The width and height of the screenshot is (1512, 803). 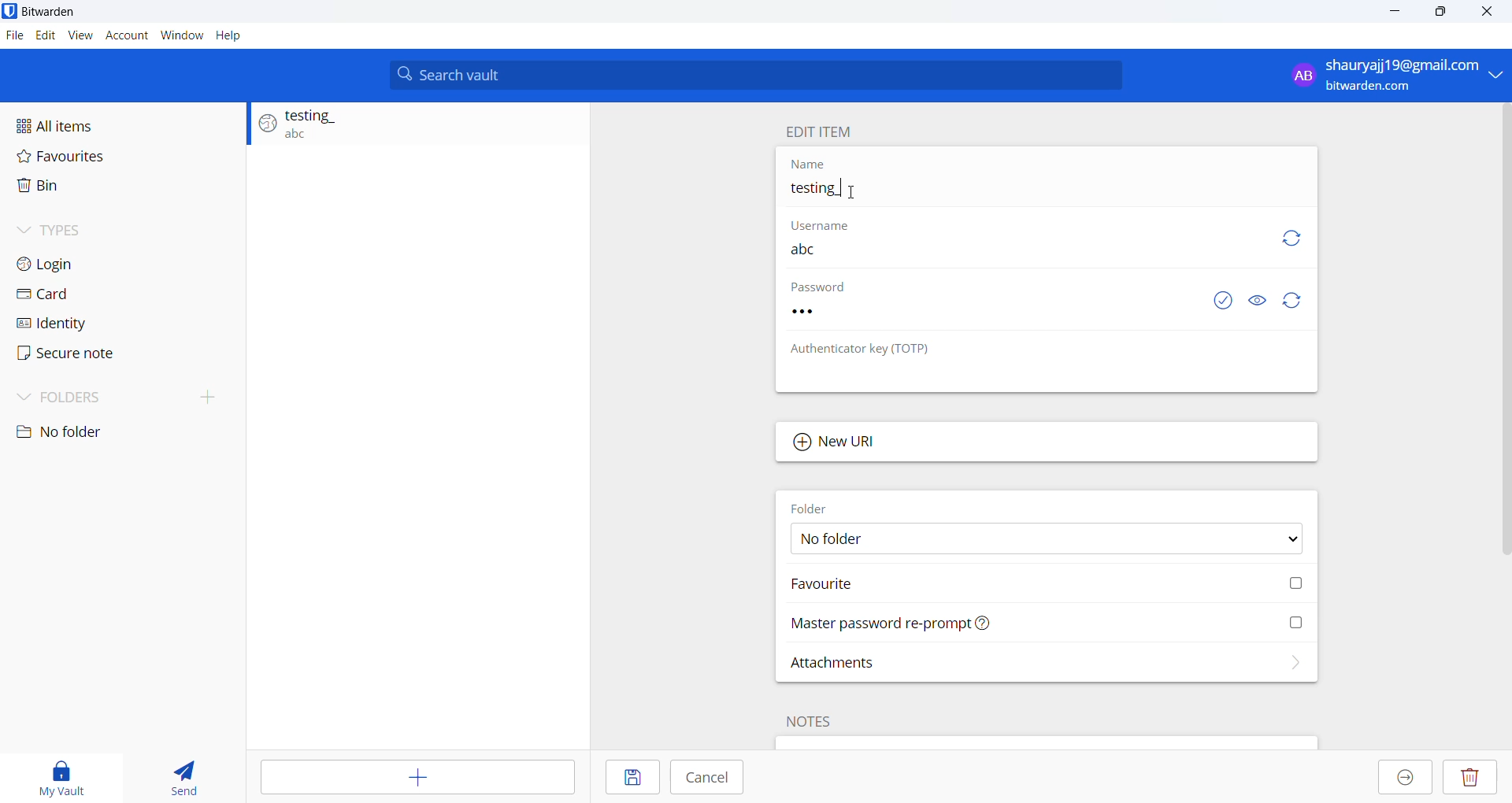 What do you see at coordinates (996, 255) in the screenshot?
I see `User name` at bounding box center [996, 255].